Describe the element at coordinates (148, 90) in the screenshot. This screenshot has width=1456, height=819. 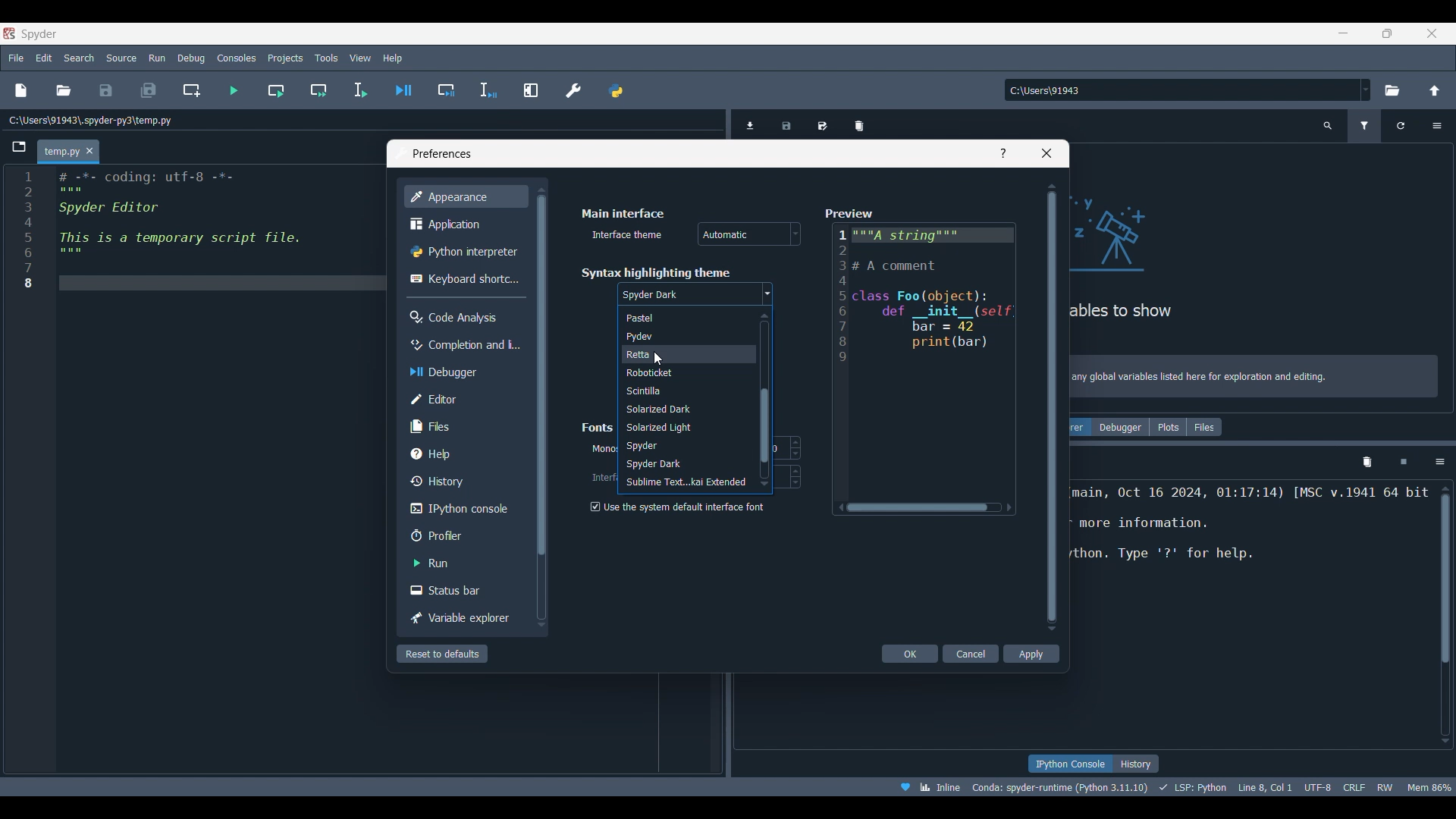
I see `Save all files` at that location.